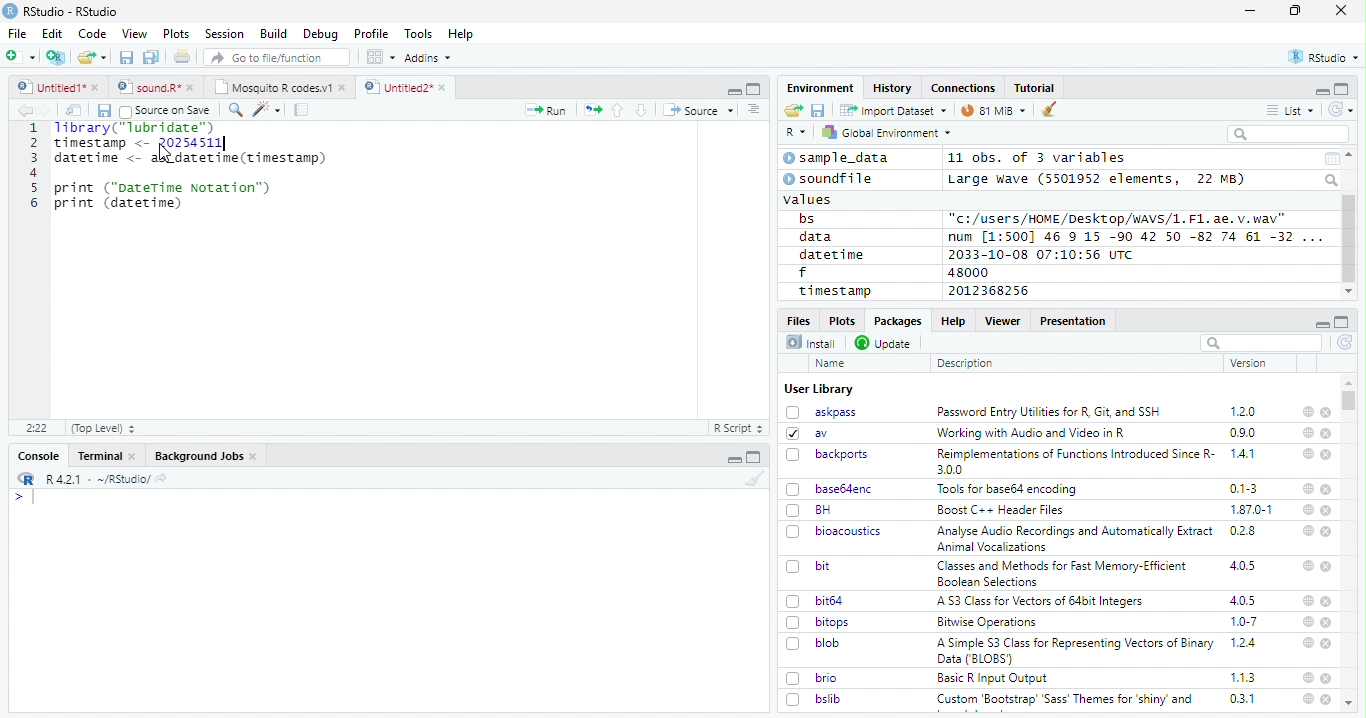 Image resolution: width=1366 pixels, height=718 pixels. What do you see at coordinates (56, 57) in the screenshot?
I see `Create a project` at bounding box center [56, 57].